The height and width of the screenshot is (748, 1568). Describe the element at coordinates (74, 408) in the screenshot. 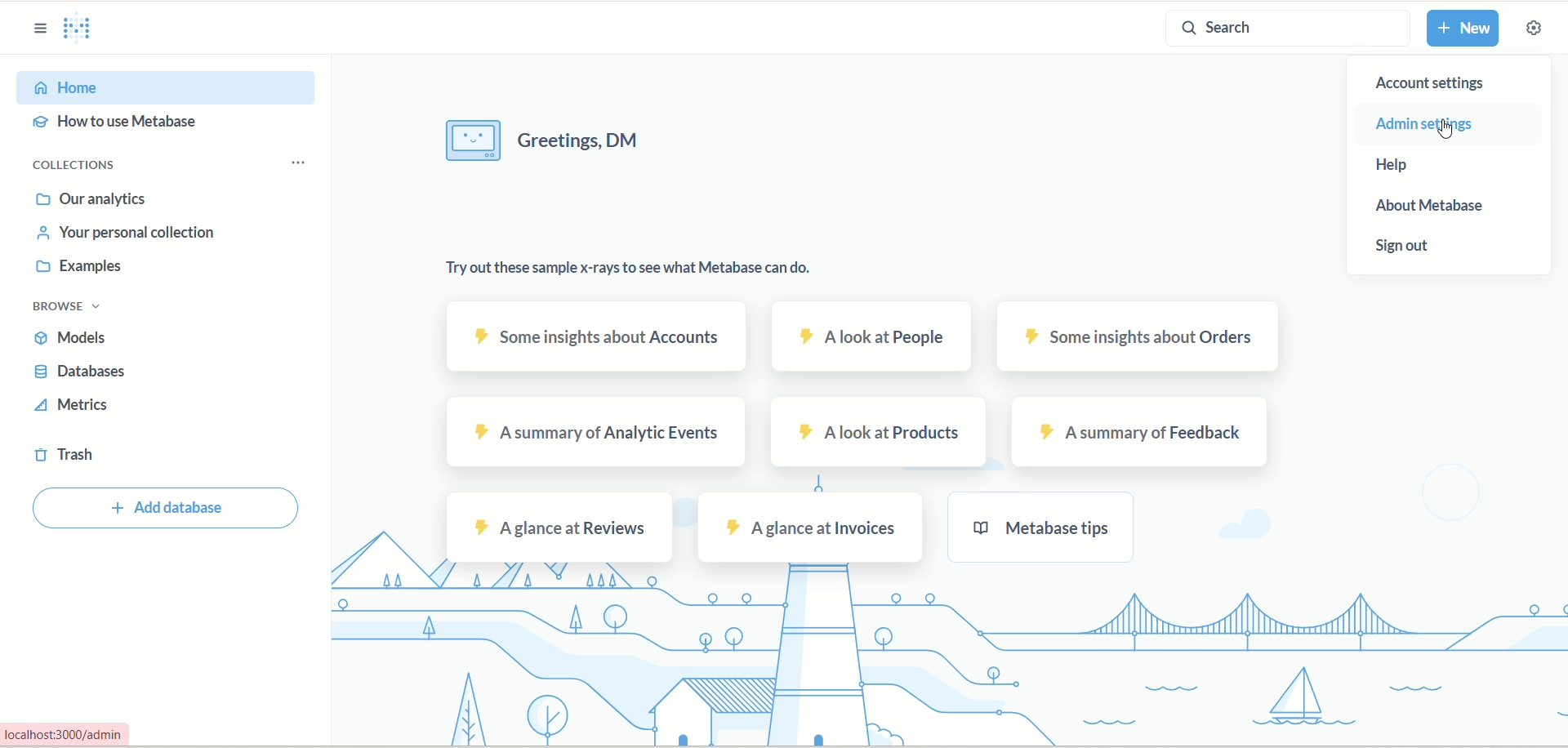

I see `metrics` at that location.